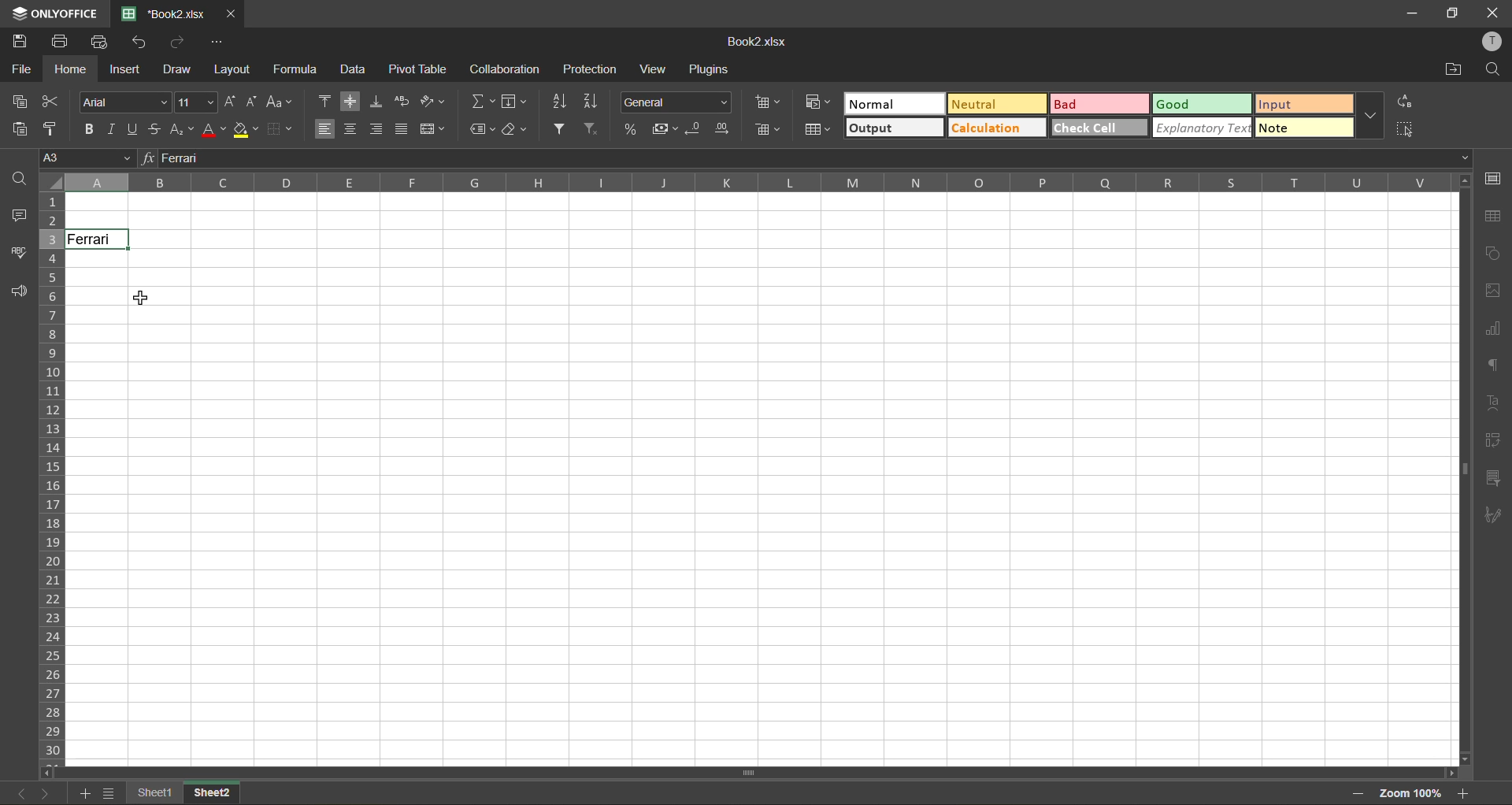  Describe the element at coordinates (1100, 127) in the screenshot. I see `check cell` at that location.